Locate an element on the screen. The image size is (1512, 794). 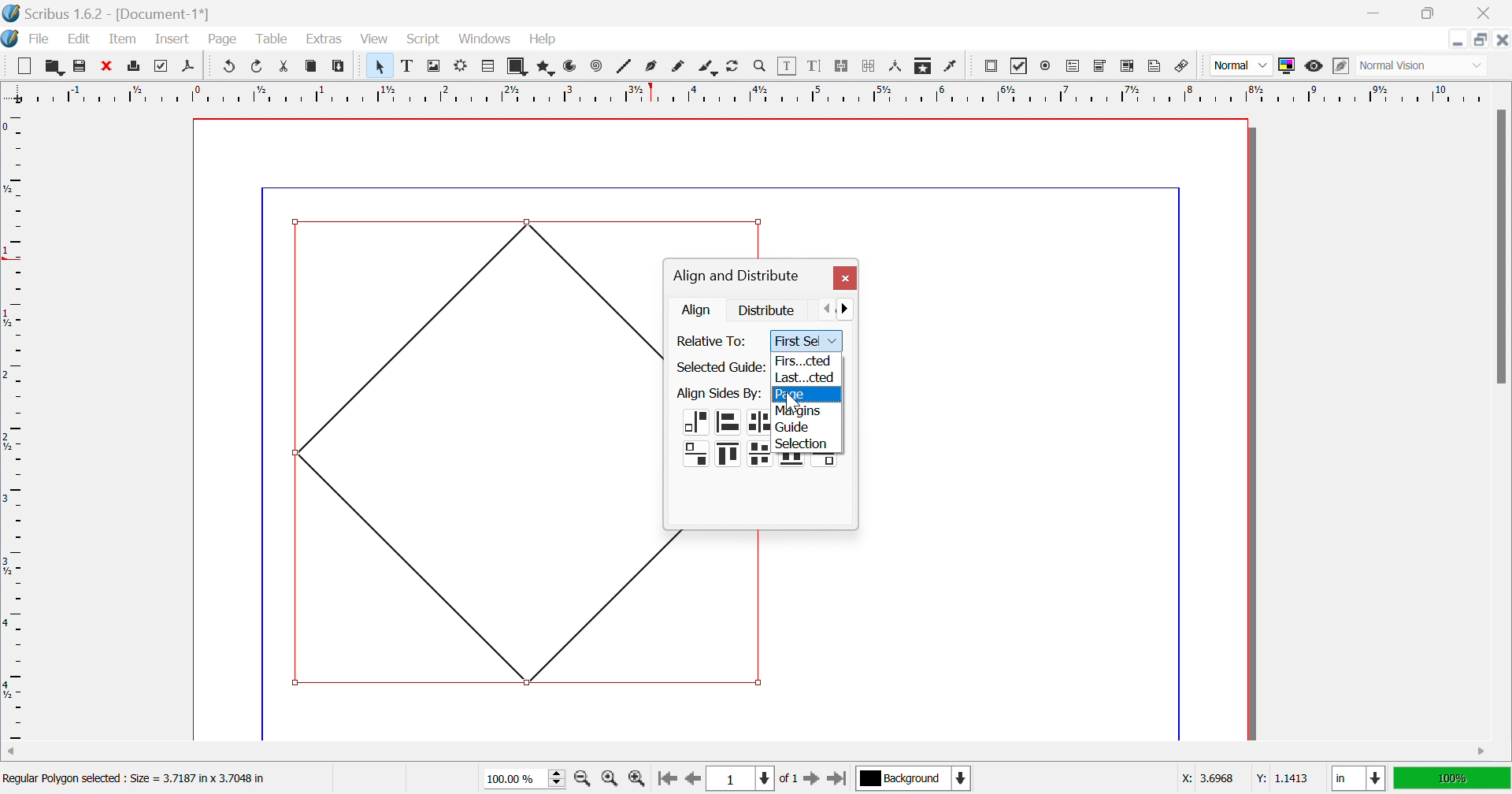
of 1 is located at coordinates (787, 780).